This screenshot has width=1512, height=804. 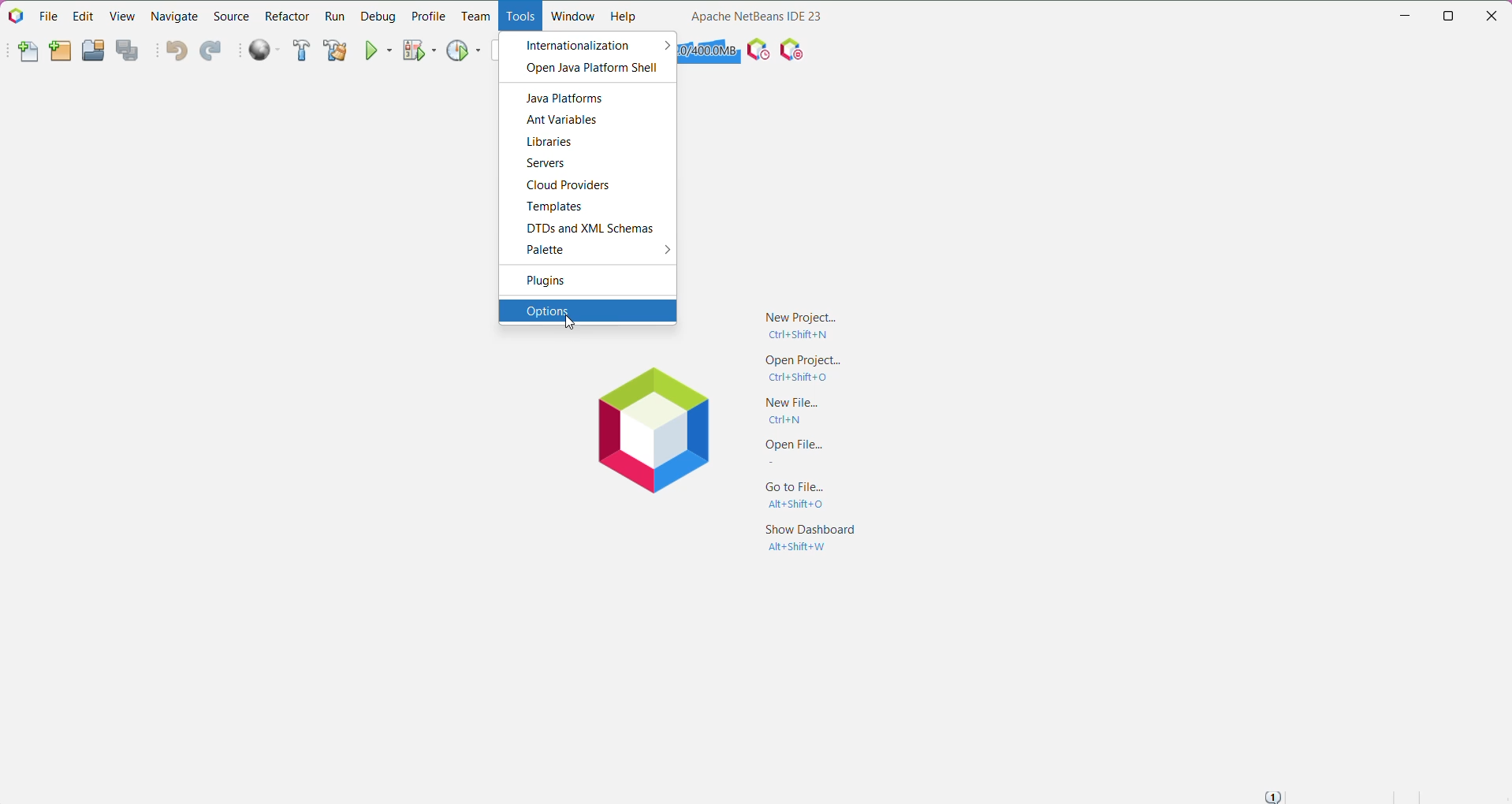 What do you see at coordinates (287, 16) in the screenshot?
I see `Refactor` at bounding box center [287, 16].